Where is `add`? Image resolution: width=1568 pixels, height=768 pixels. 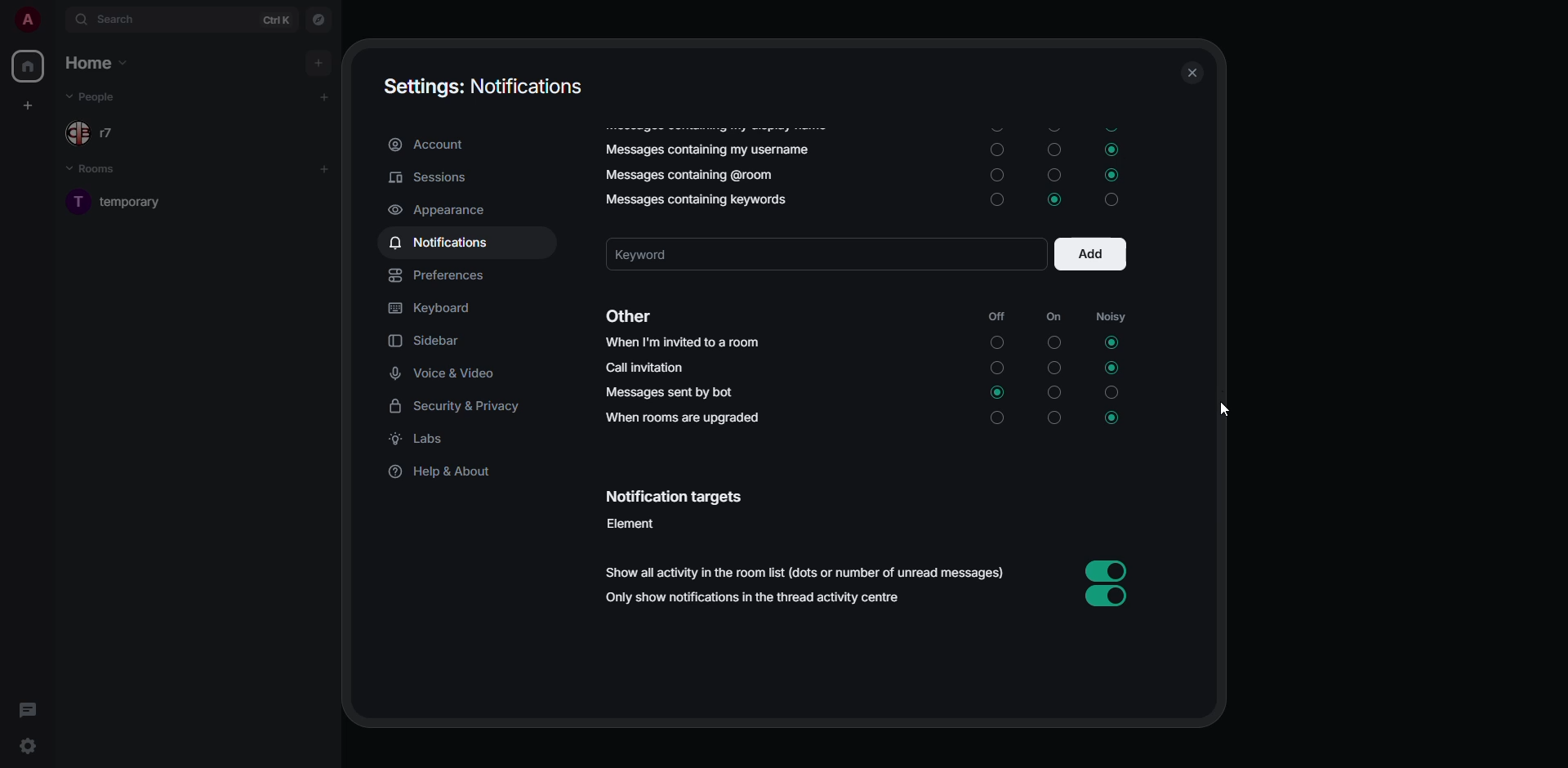 add is located at coordinates (328, 94).